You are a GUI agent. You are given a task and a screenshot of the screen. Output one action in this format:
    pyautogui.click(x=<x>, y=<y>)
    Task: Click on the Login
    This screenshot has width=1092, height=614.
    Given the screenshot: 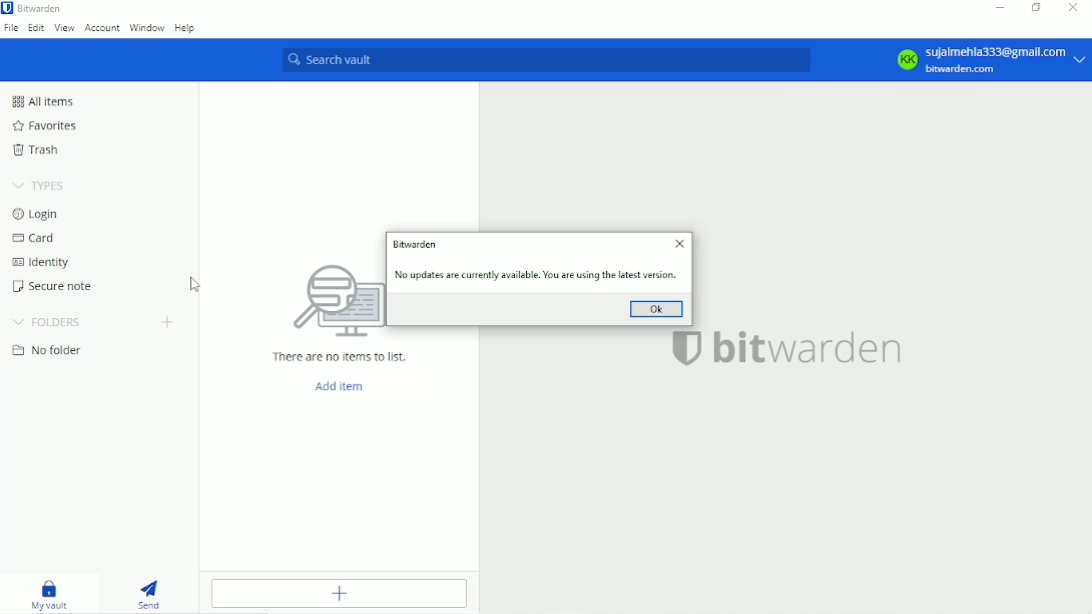 What is the action you would take?
    pyautogui.click(x=38, y=213)
    